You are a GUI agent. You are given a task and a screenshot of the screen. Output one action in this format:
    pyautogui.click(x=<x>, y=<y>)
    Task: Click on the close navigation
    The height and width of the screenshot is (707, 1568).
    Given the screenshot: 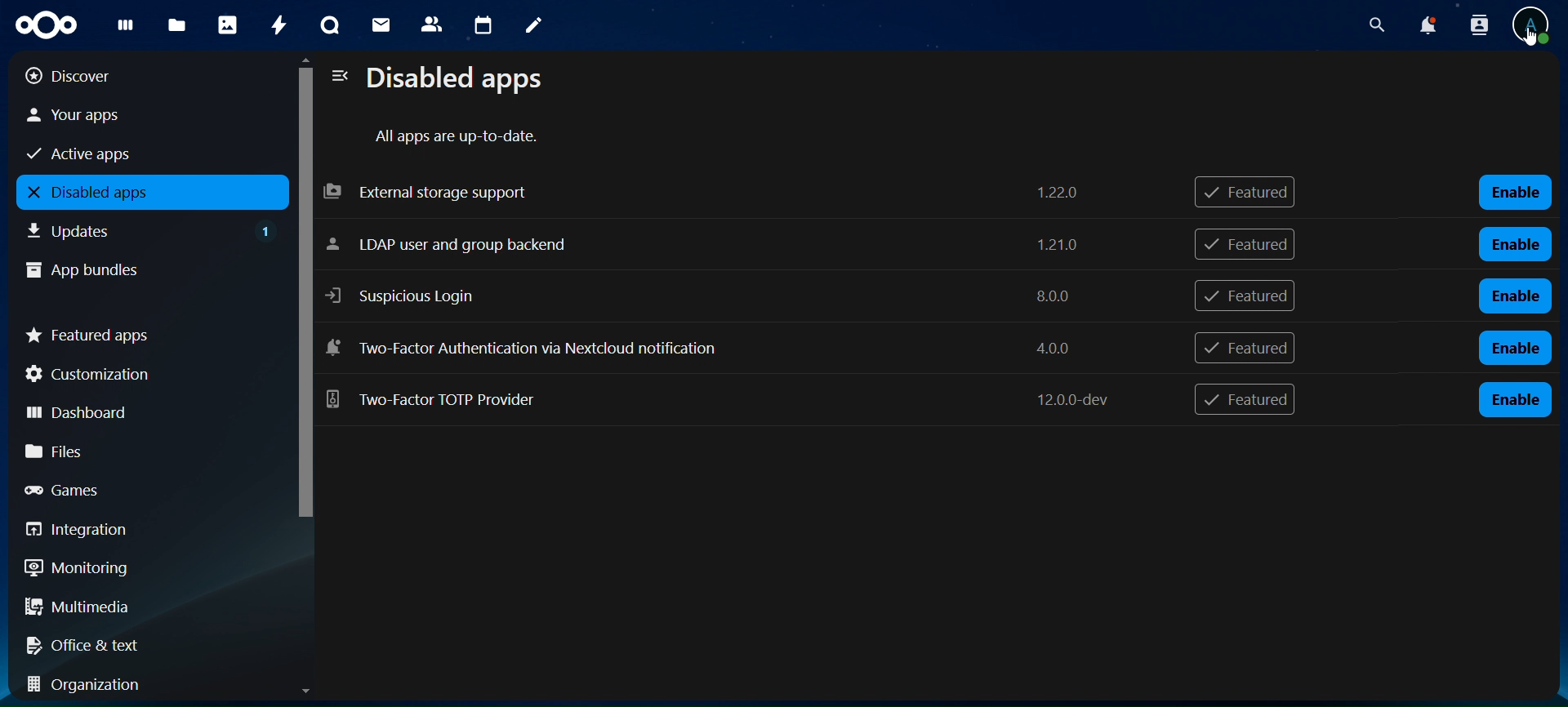 What is the action you would take?
    pyautogui.click(x=338, y=77)
    